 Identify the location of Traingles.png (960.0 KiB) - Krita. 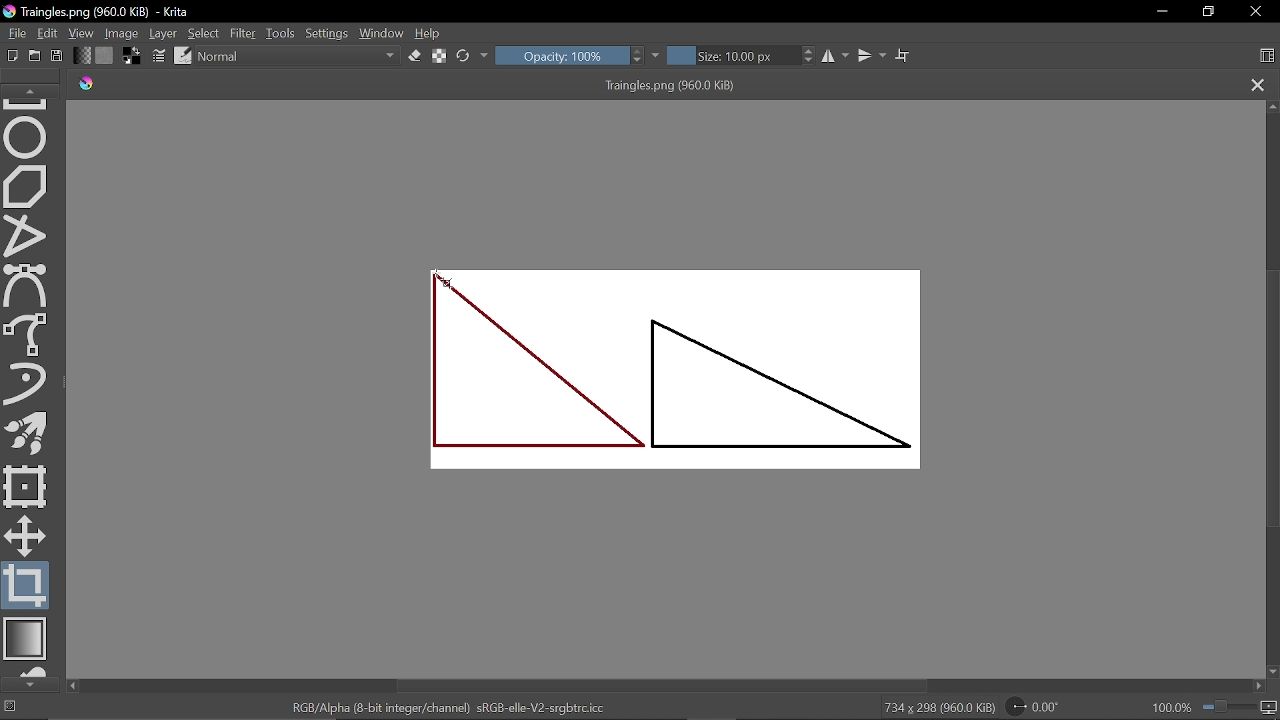
(99, 13).